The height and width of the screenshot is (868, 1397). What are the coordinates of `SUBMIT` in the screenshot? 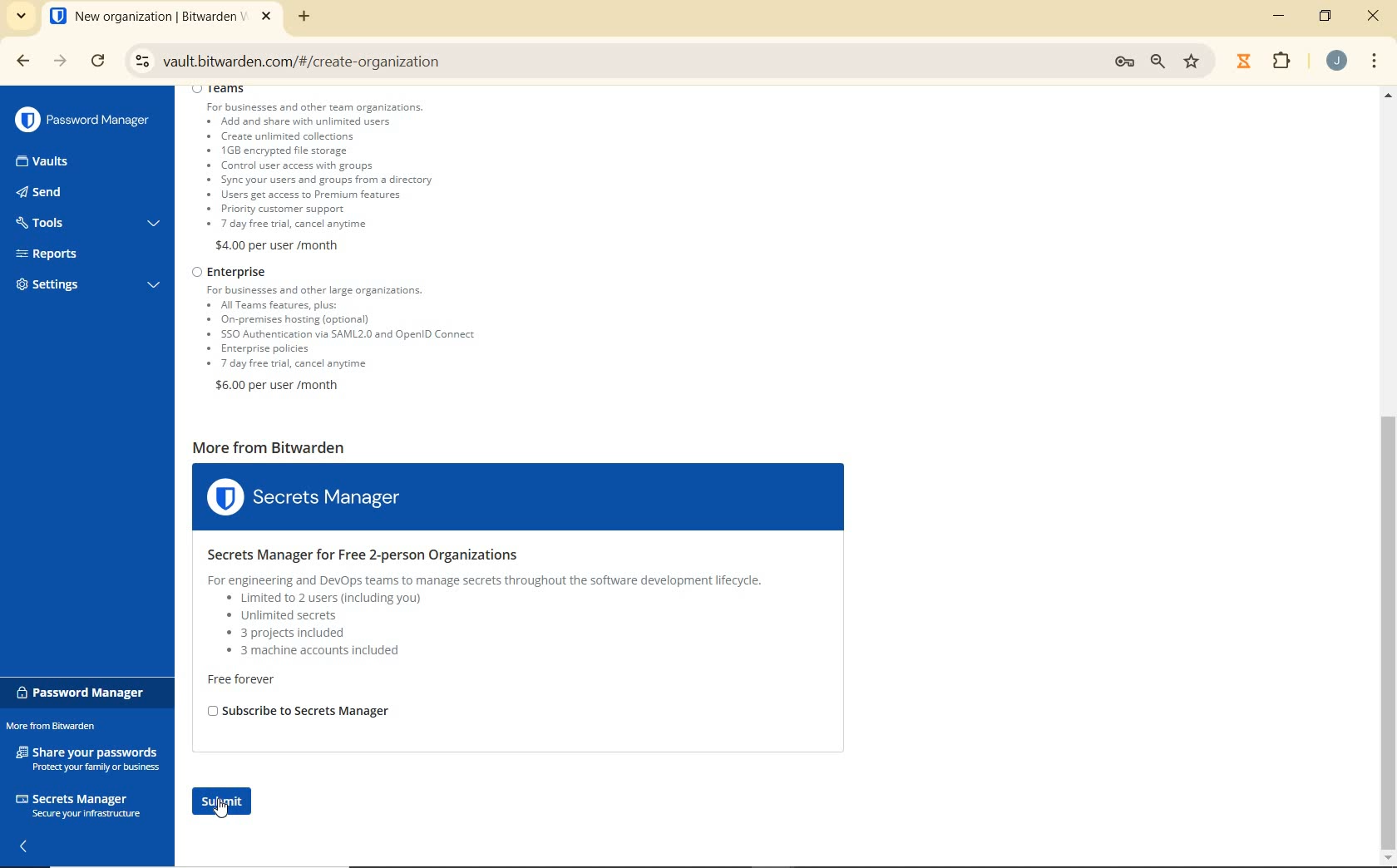 It's located at (231, 802).